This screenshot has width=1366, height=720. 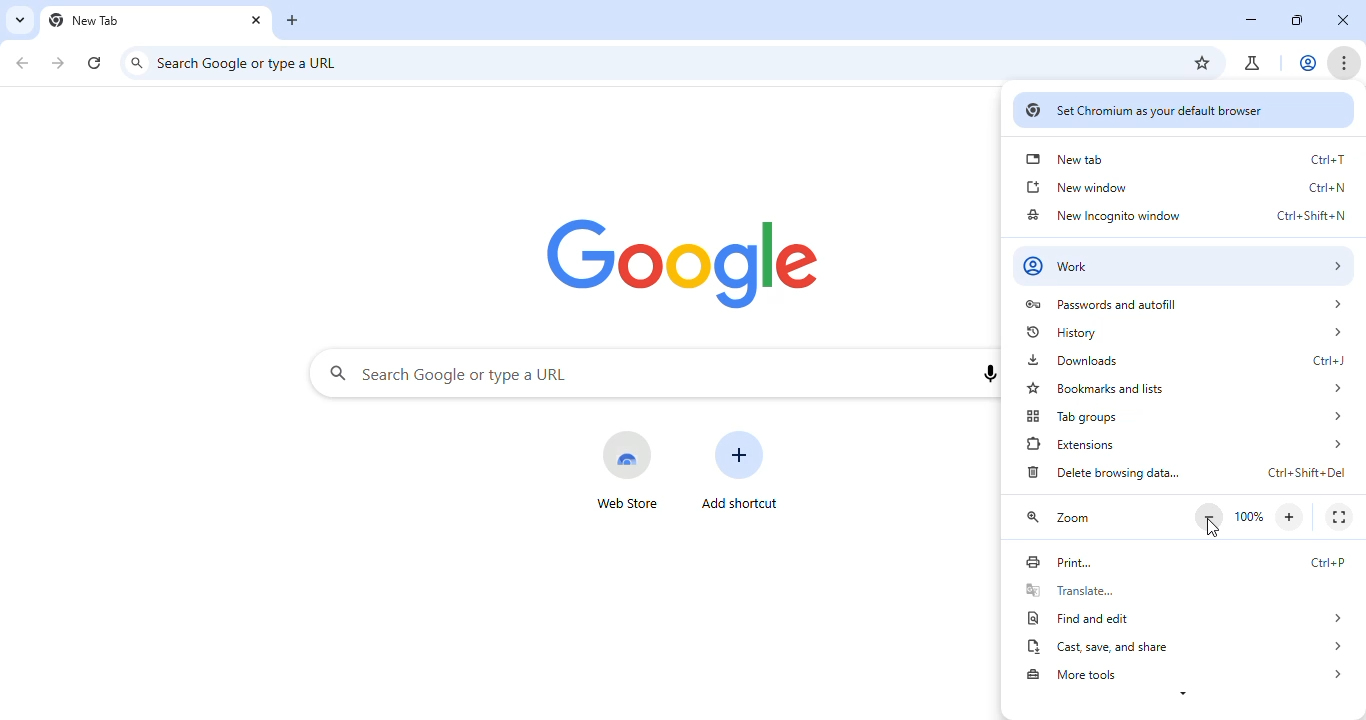 What do you see at coordinates (1182, 358) in the screenshot?
I see `downloads` at bounding box center [1182, 358].